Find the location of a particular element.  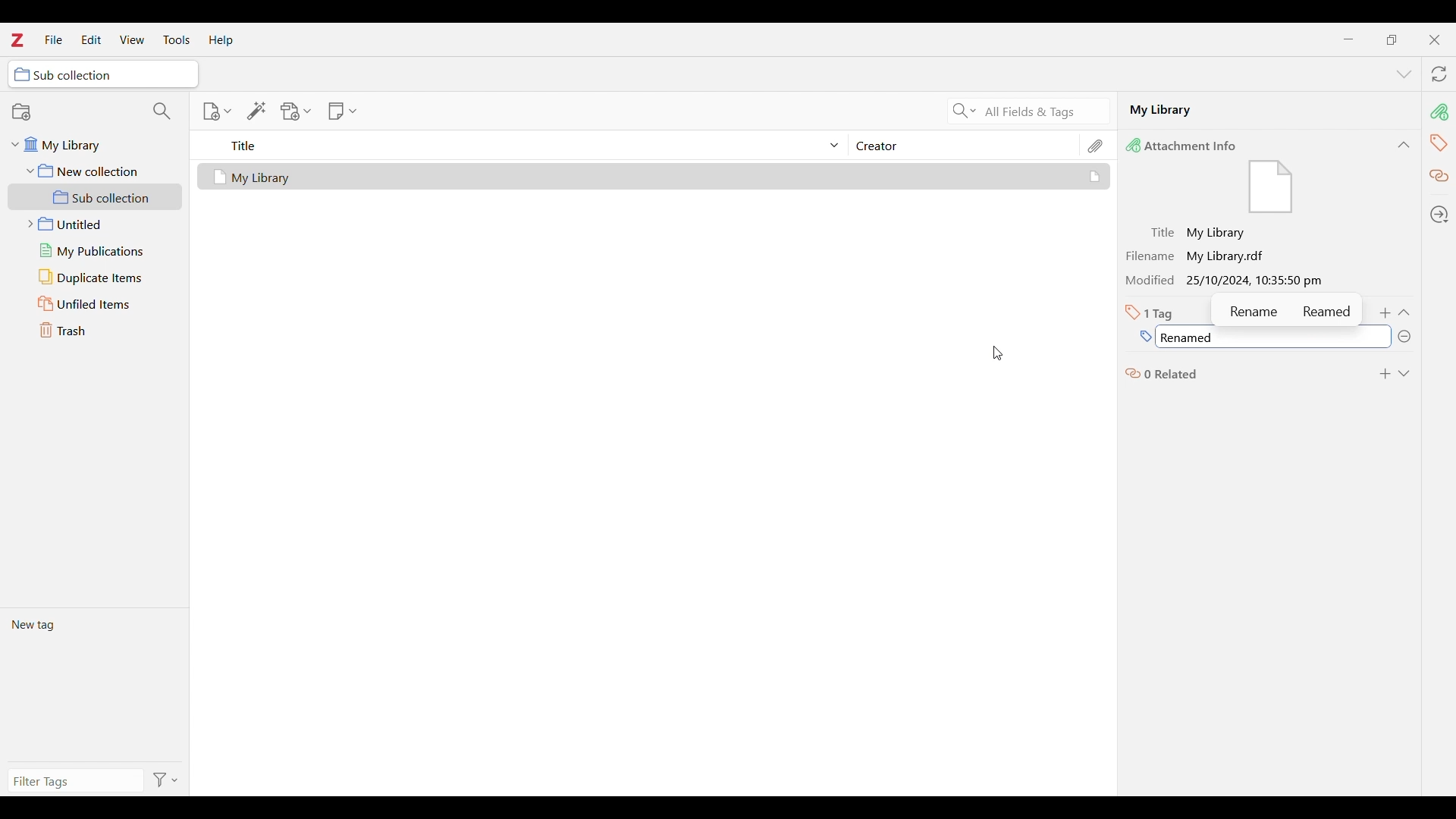

Show interface in a smaller tab is located at coordinates (1392, 39).